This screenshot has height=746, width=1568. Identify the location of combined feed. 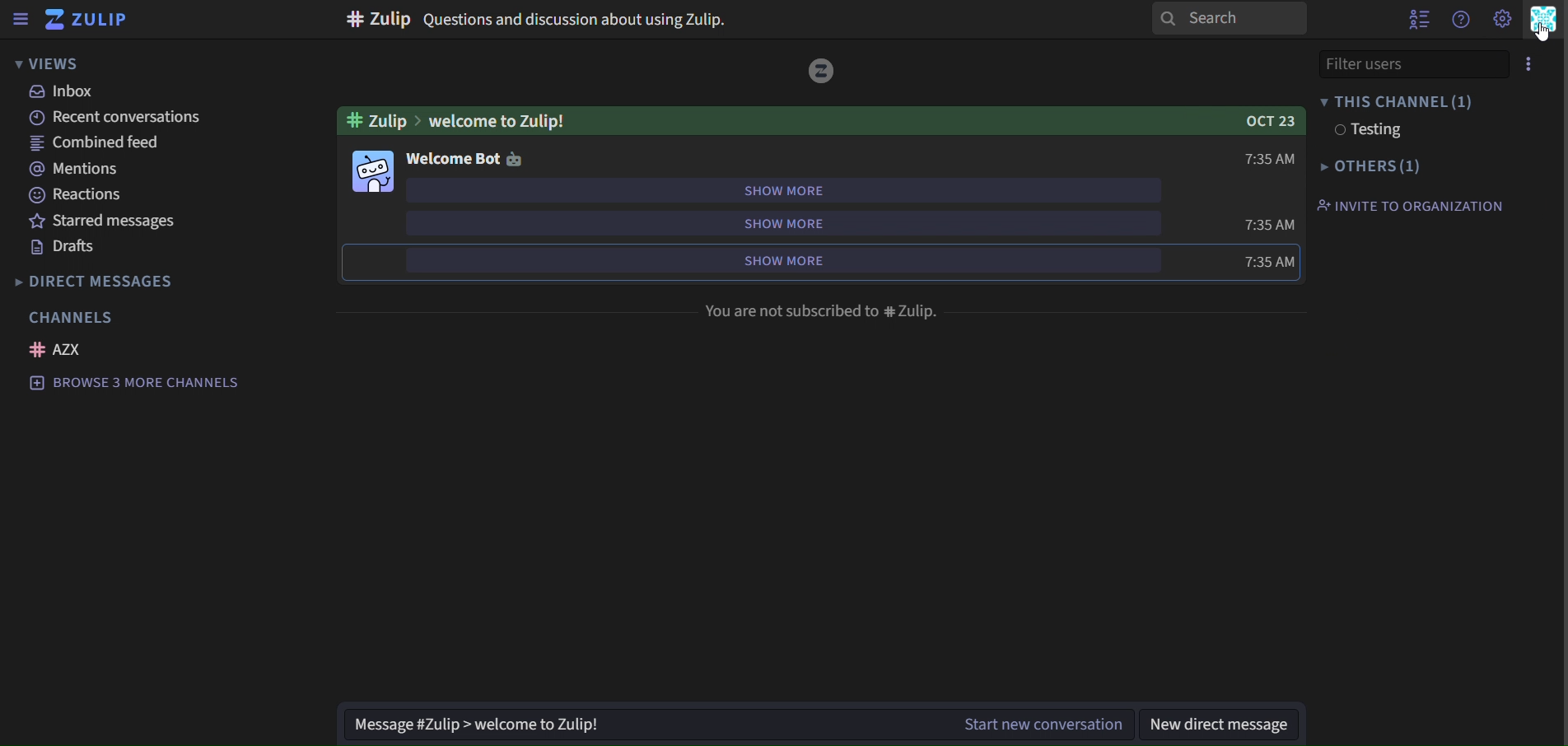
(89, 142).